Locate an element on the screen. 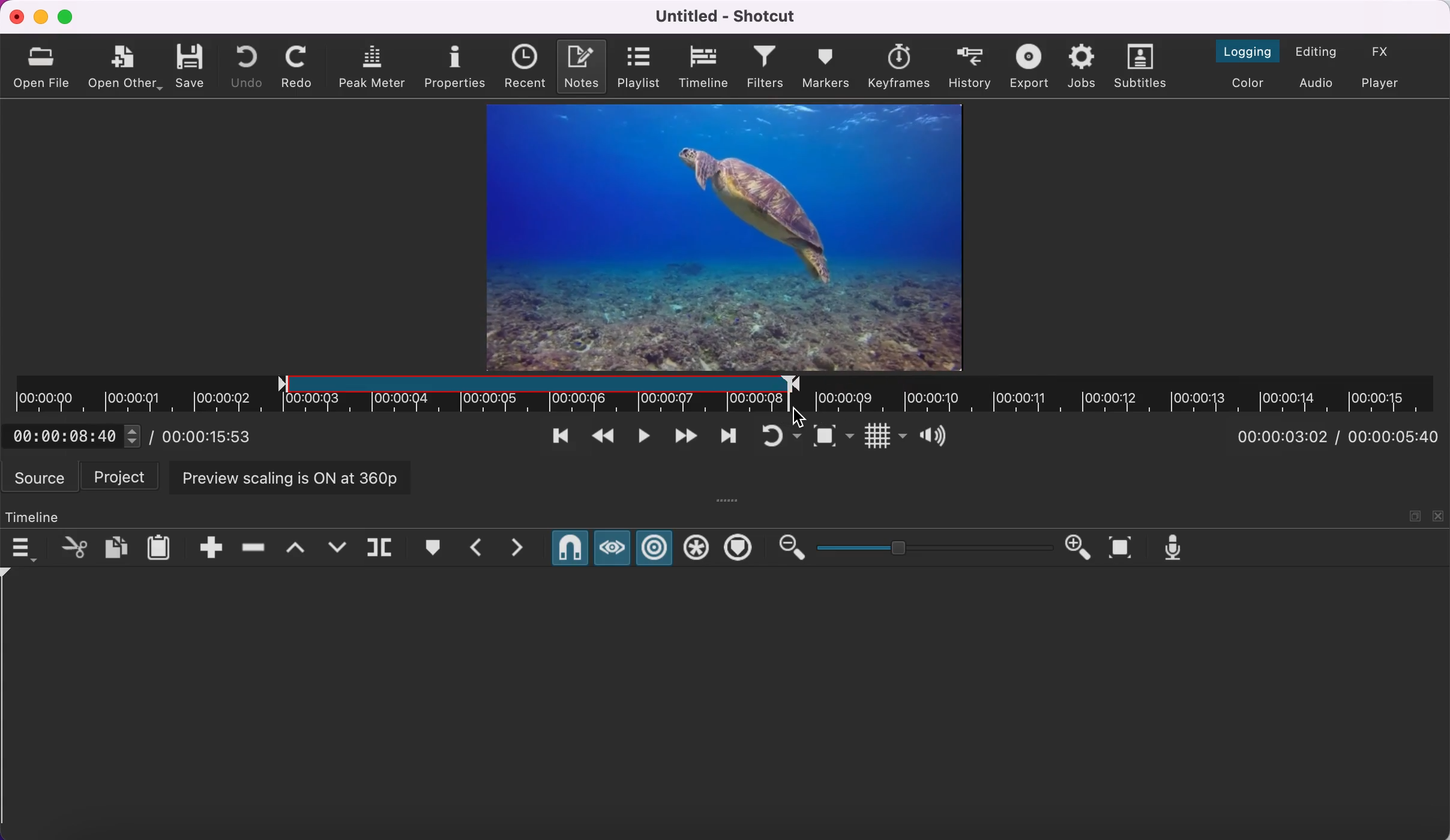 The image size is (1450, 840). skip to next point is located at coordinates (728, 436).